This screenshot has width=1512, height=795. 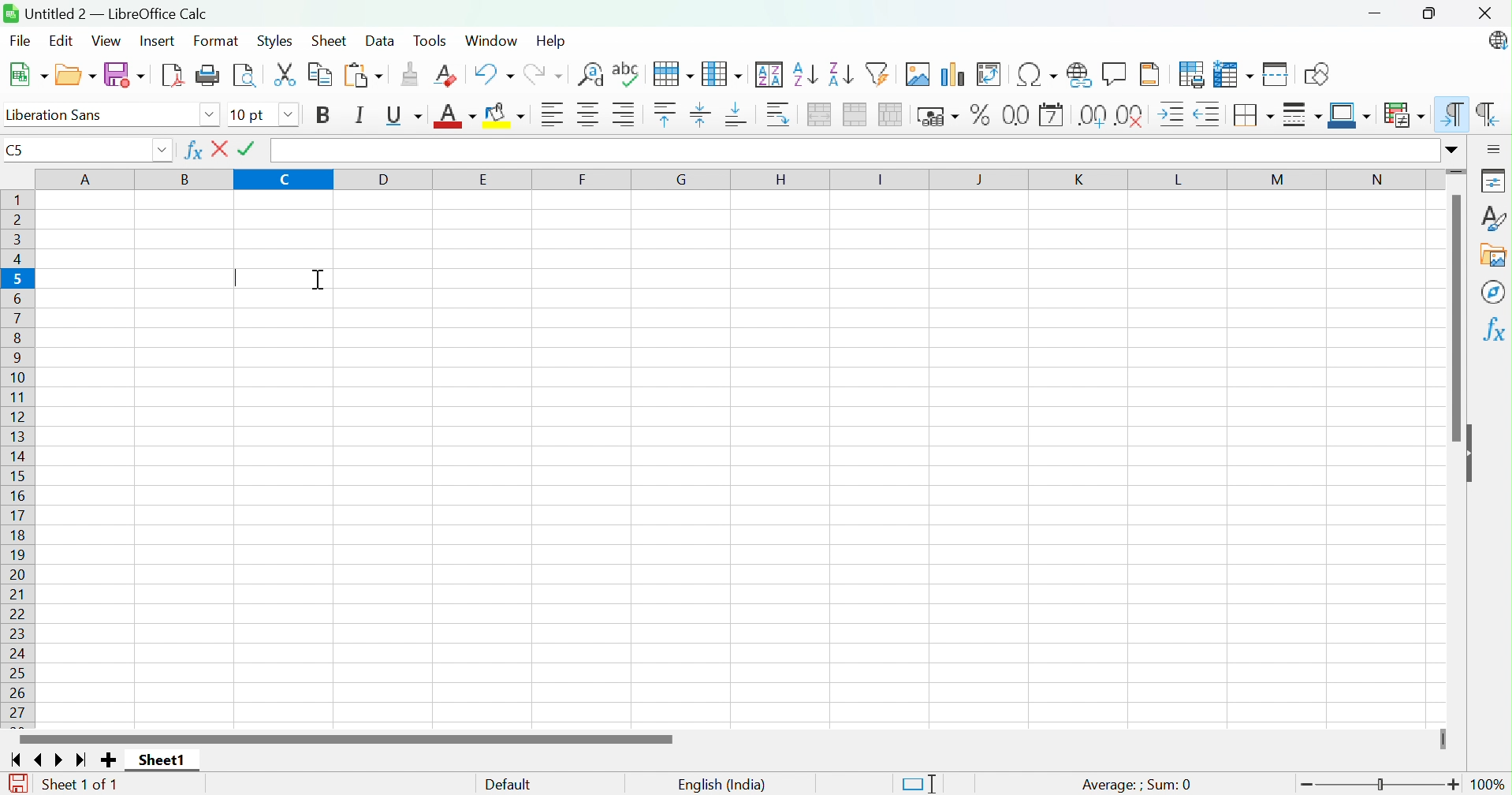 What do you see at coordinates (109, 760) in the screenshot?
I see `Add new sheet` at bounding box center [109, 760].